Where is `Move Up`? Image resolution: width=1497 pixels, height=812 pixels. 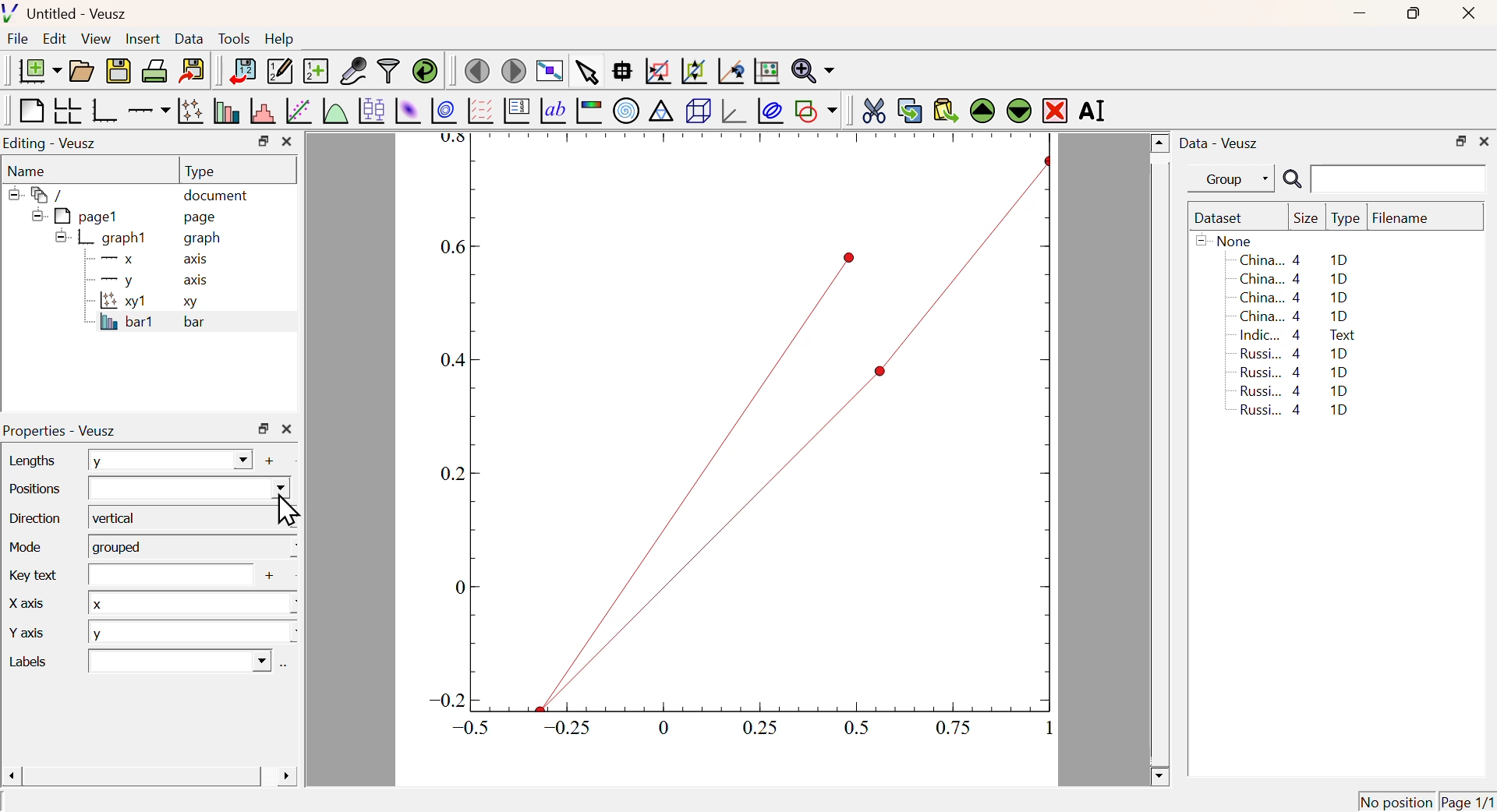 Move Up is located at coordinates (984, 111).